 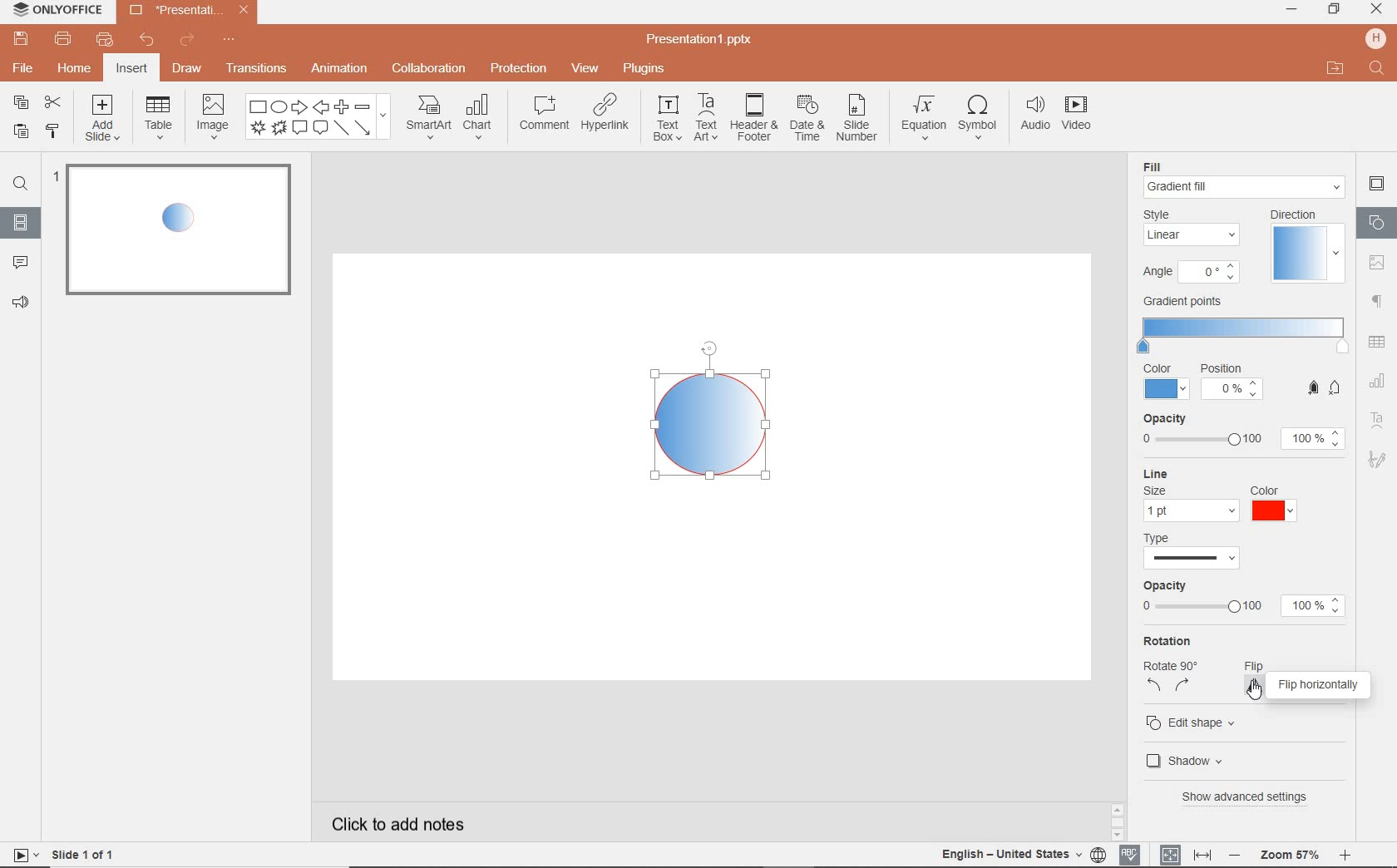 I want to click on slide number, so click(x=857, y=119).